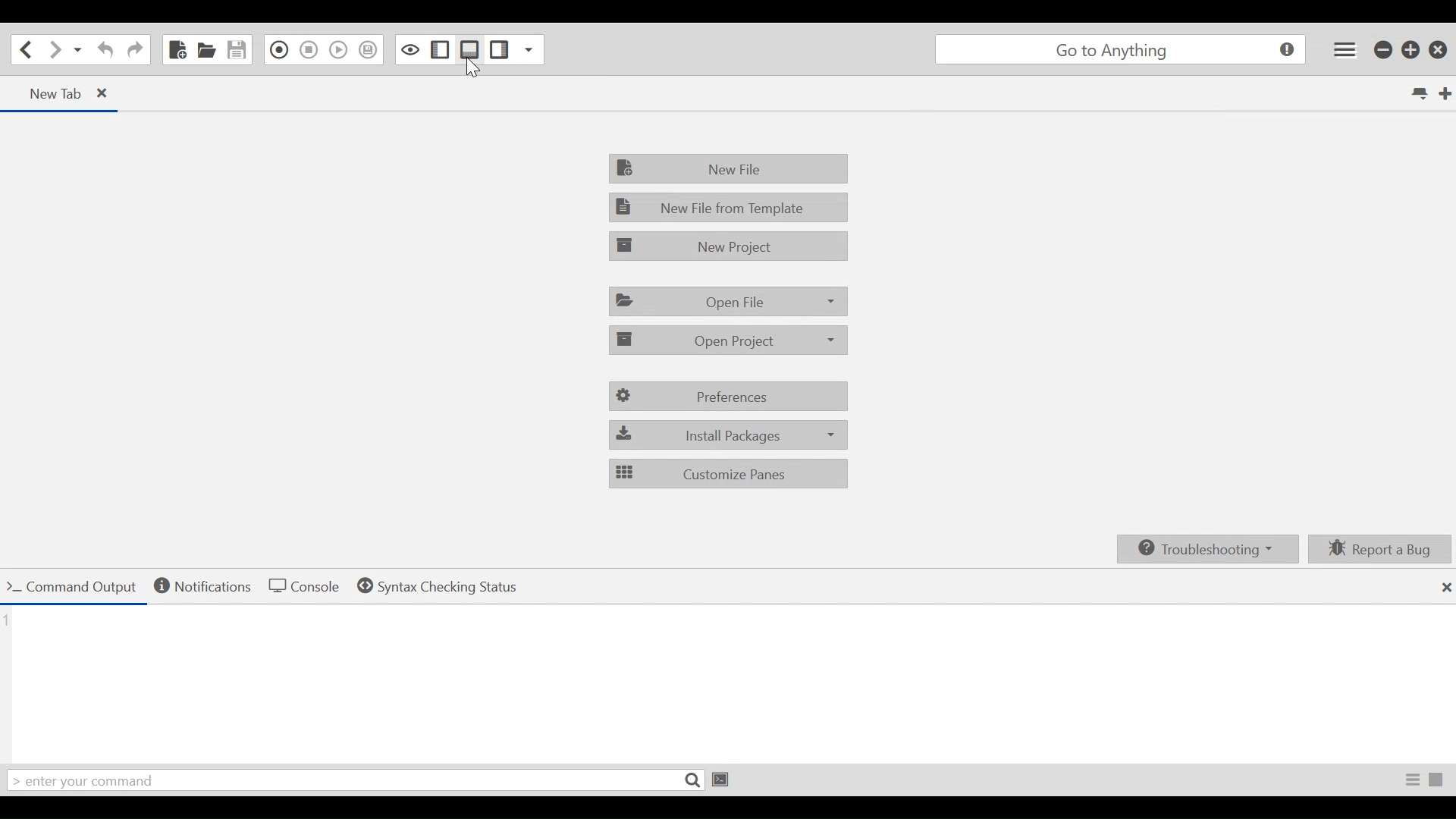 The width and height of the screenshot is (1456, 819). I want to click on Show specific Sidebar, so click(529, 50).